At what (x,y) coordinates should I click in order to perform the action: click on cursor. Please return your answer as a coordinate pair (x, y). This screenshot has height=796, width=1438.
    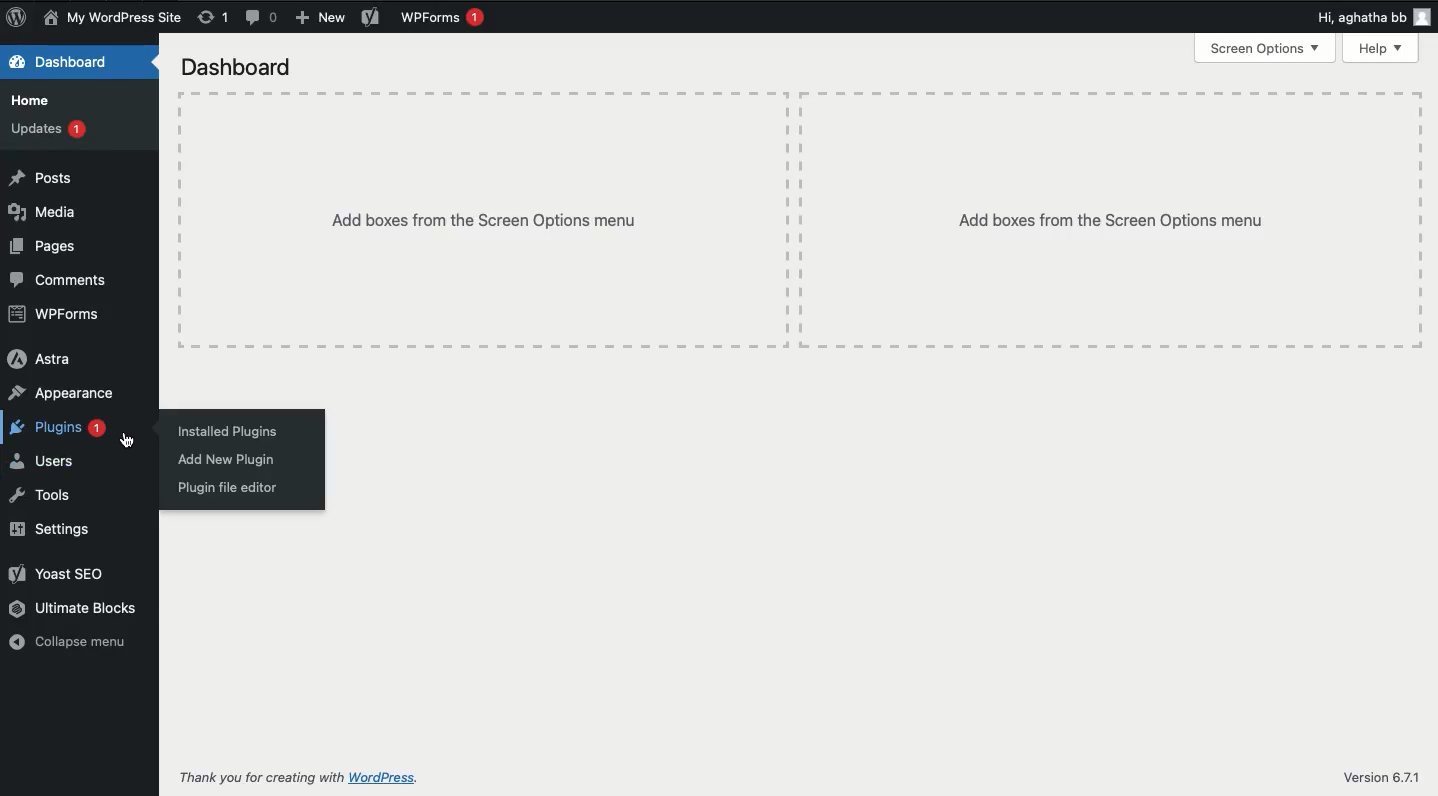
    Looking at the image, I should click on (128, 440).